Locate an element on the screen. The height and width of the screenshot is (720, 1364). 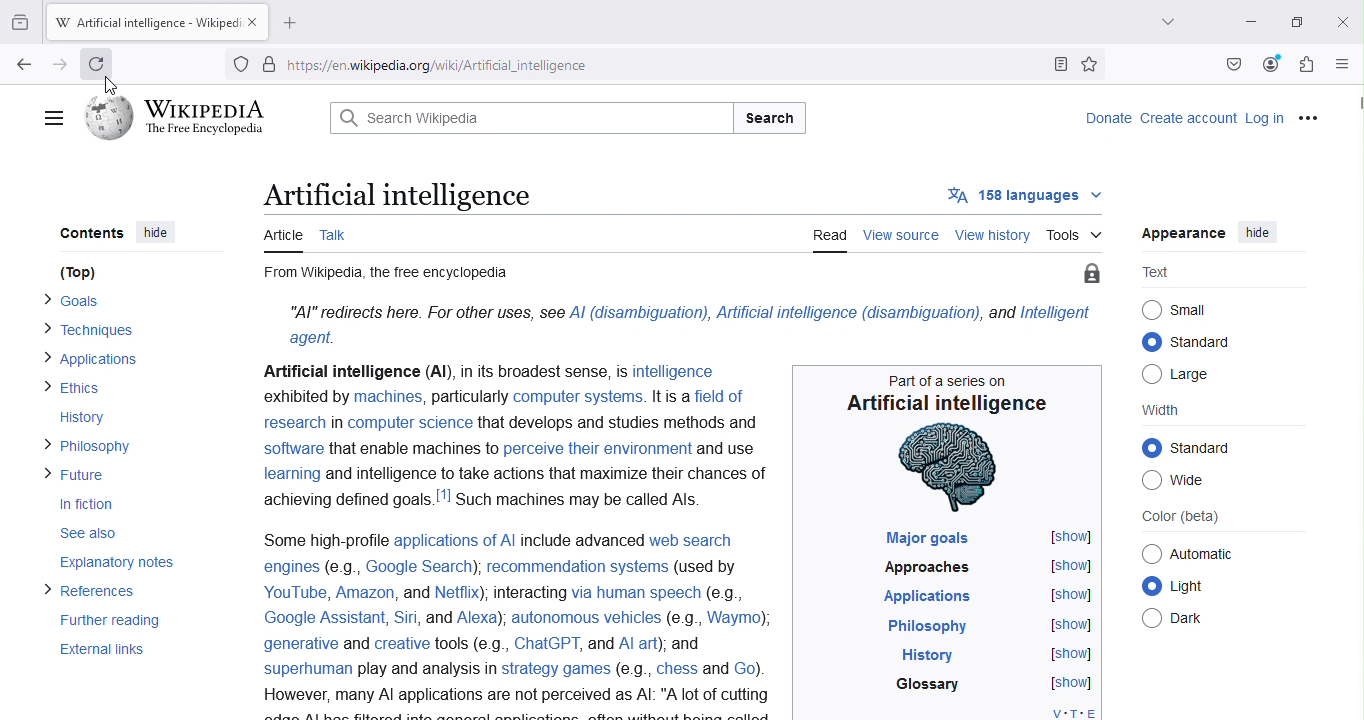
(Top) is located at coordinates (79, 272).